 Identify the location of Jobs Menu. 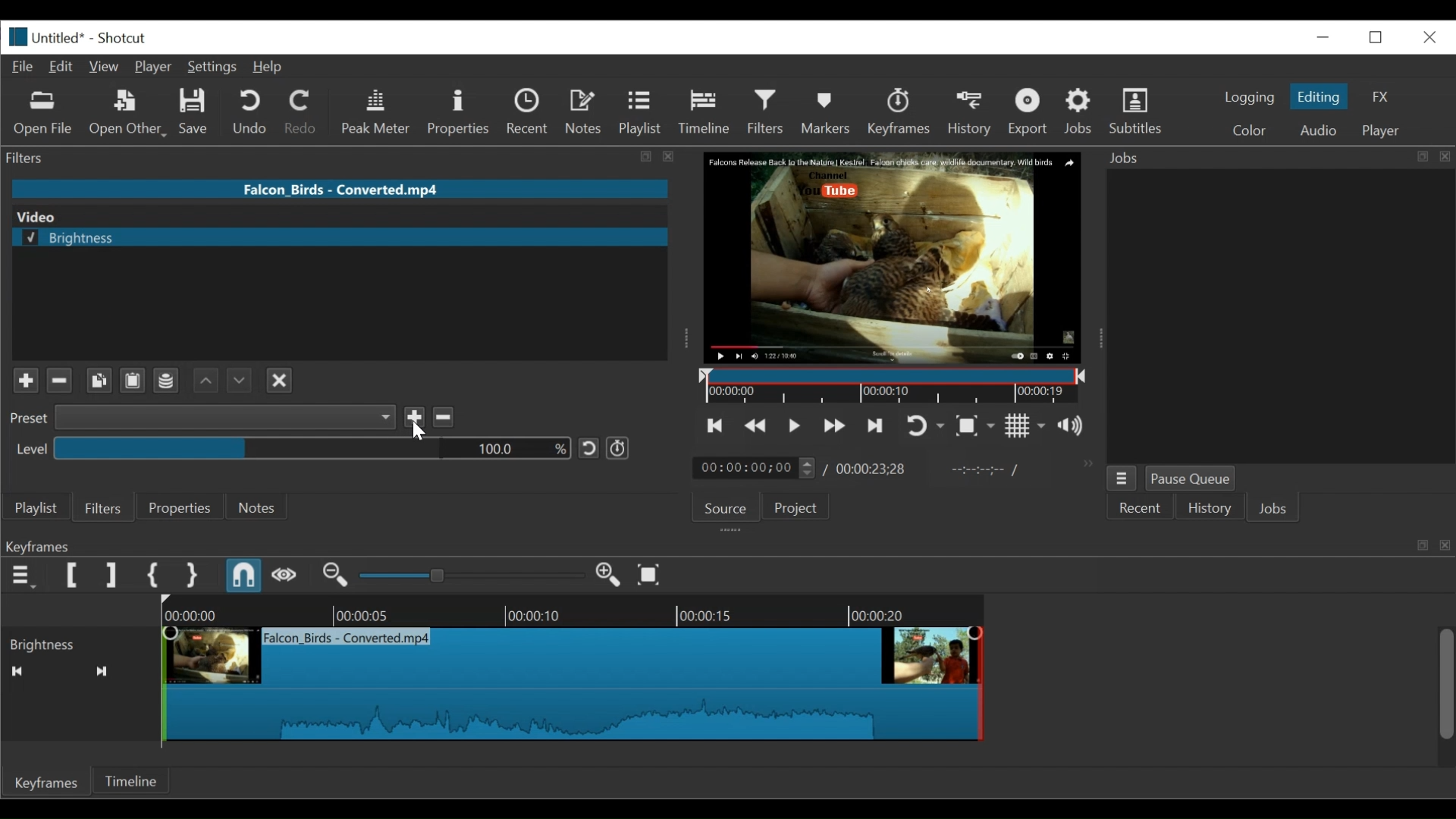
(1123, 479).